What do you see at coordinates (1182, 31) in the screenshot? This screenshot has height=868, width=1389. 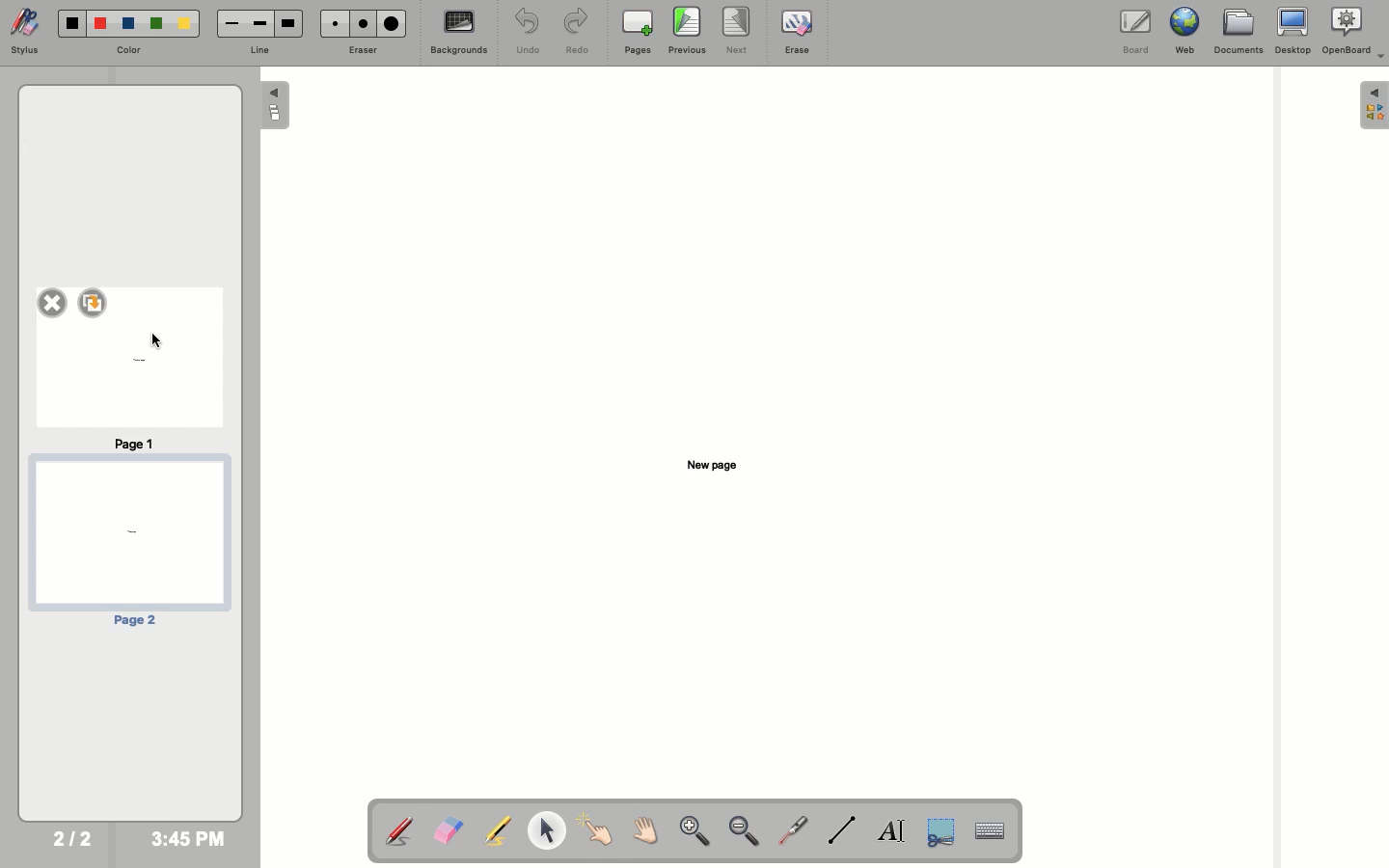 I see `Web` at bounding box center [1182, 31].